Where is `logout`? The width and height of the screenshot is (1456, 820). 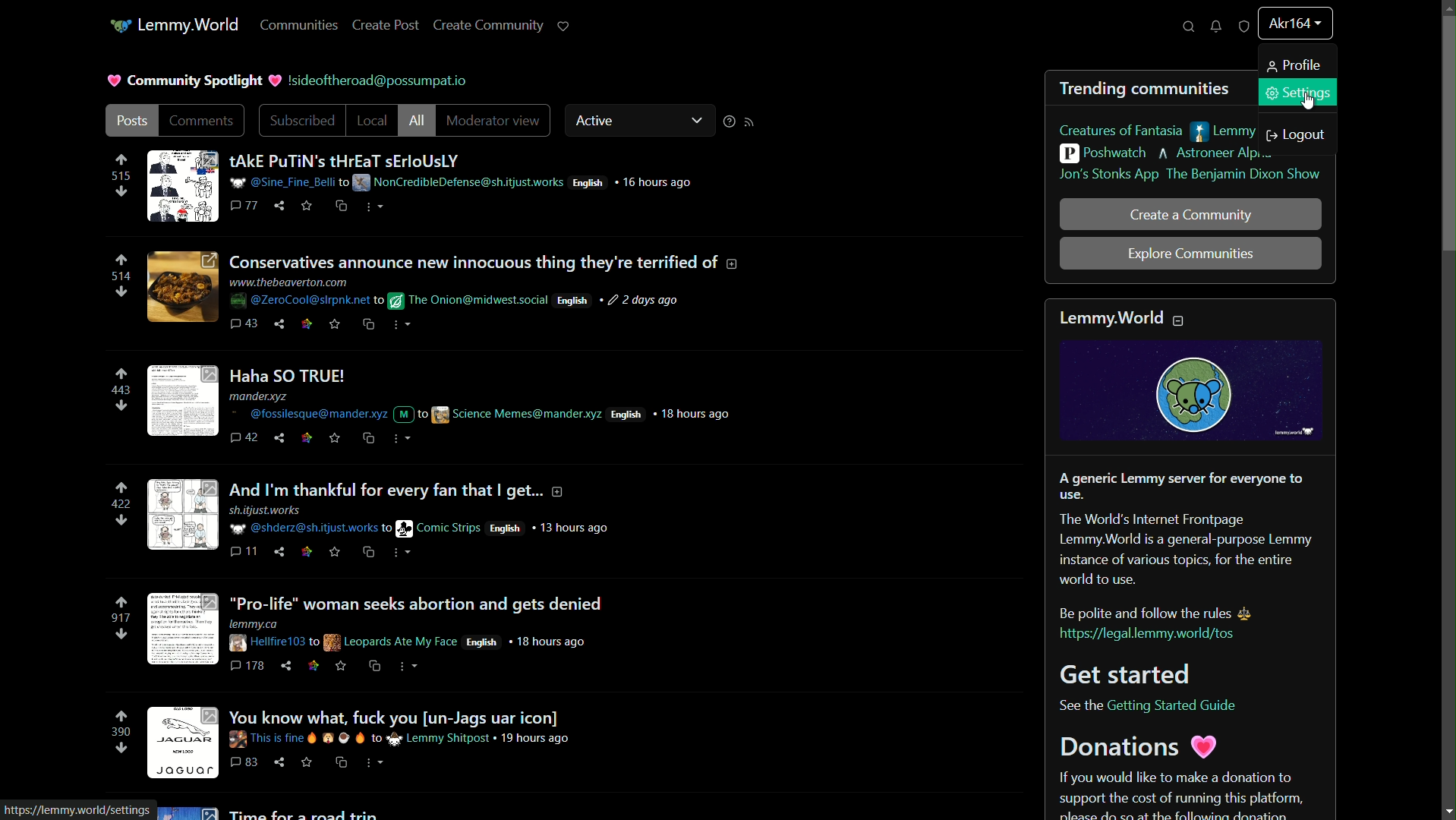
logout is located at coordinates (1298, 135).